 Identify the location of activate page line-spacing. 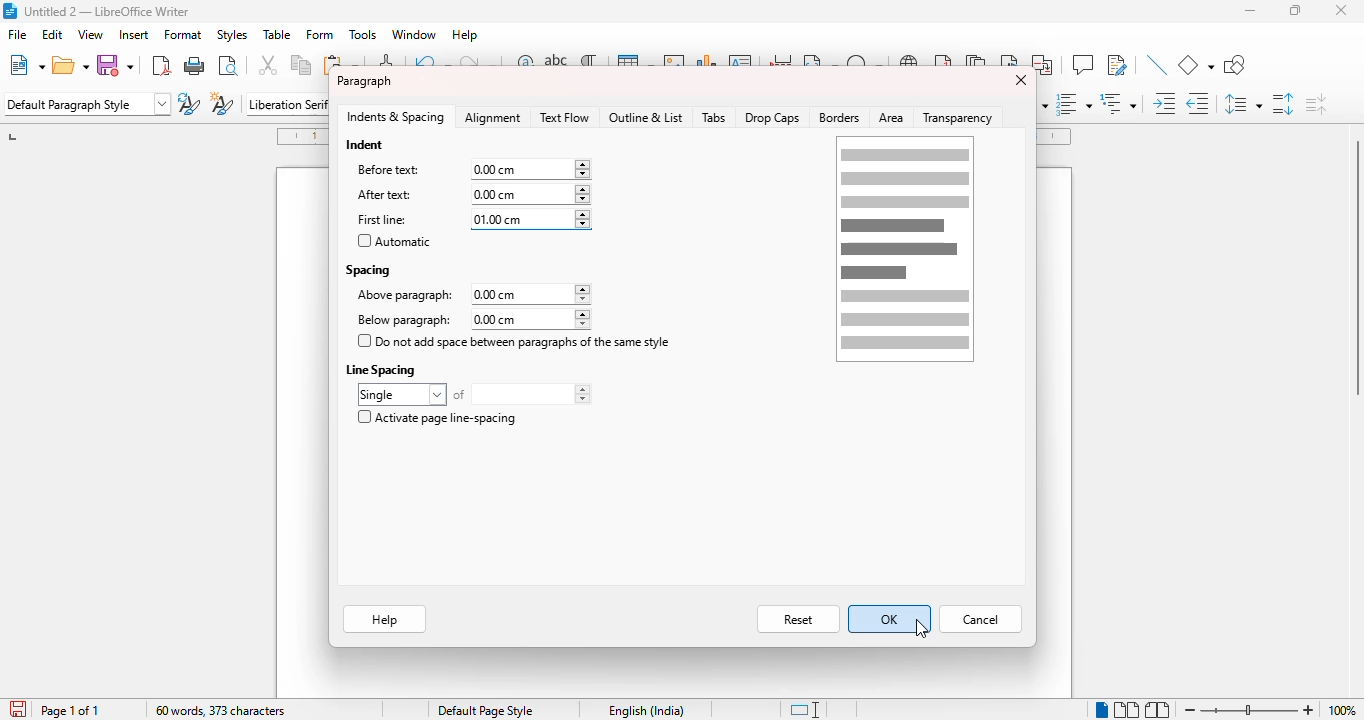
(436, 417).